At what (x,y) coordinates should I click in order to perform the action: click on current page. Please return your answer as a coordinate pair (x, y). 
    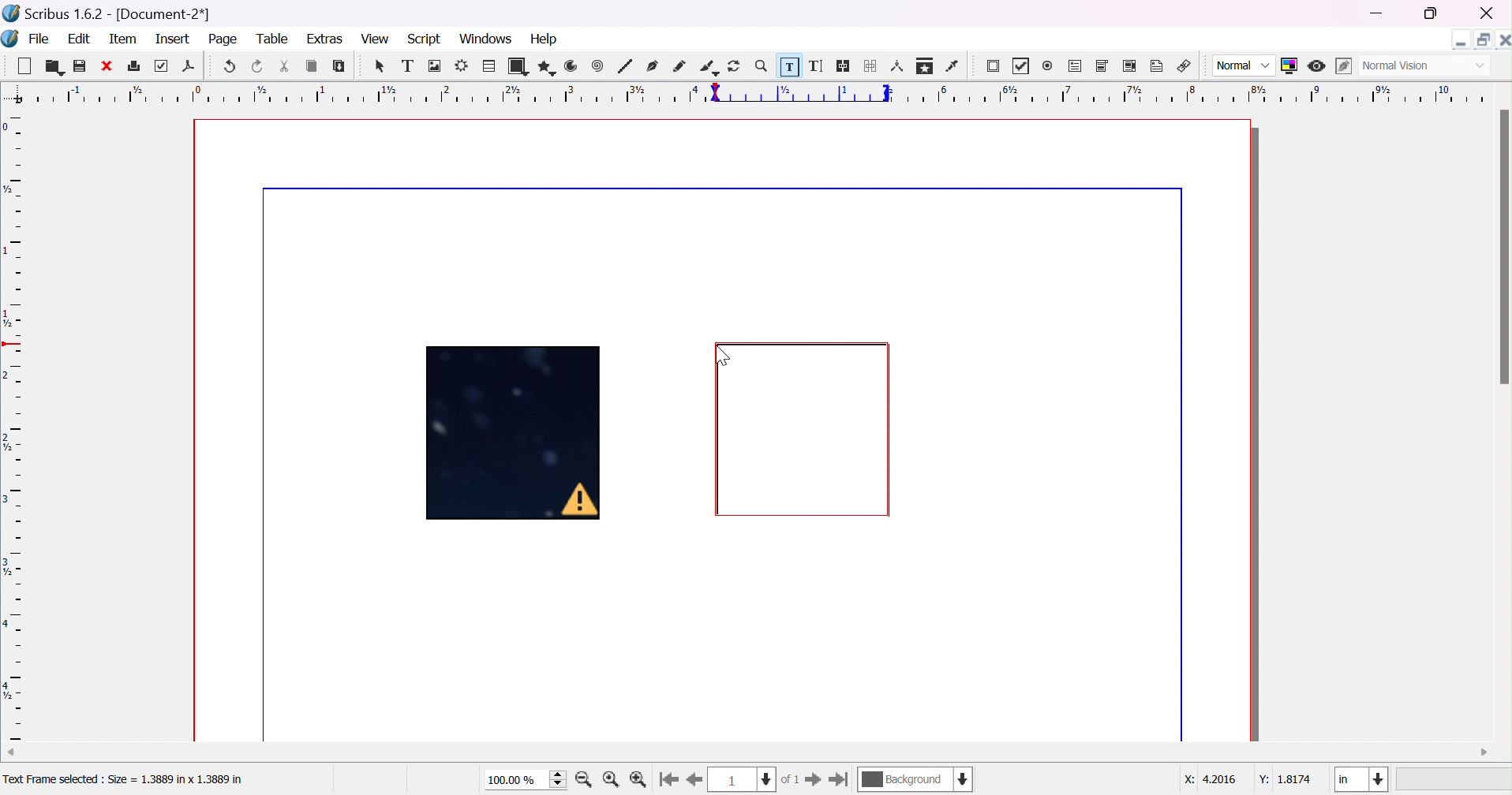
    Looking at the image, I should click on (757, 779).